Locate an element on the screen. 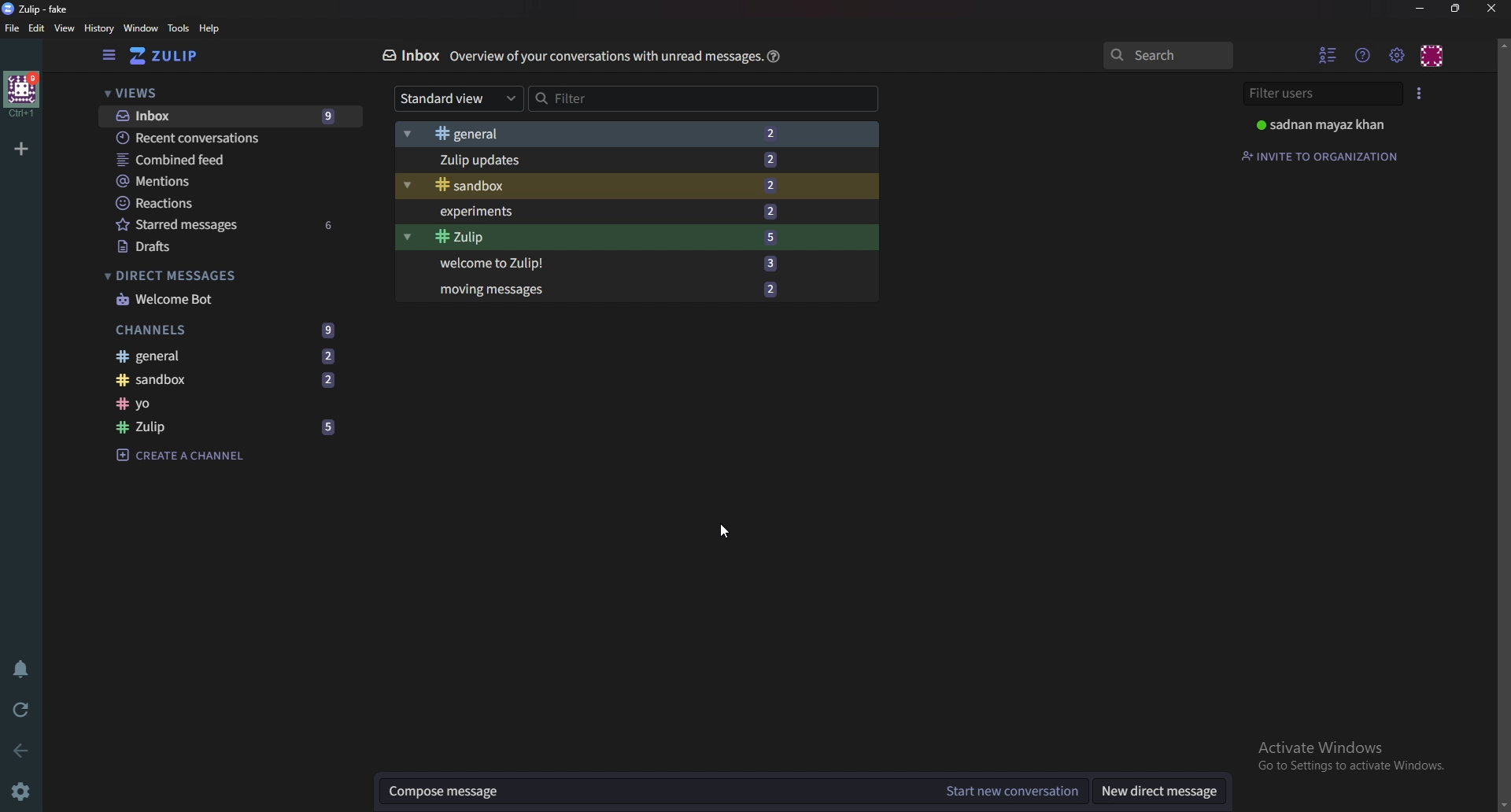 The width and height of the screenshot is (1511, 812). Overview of your conversations with unread messages is located at coordinates (603, 57).